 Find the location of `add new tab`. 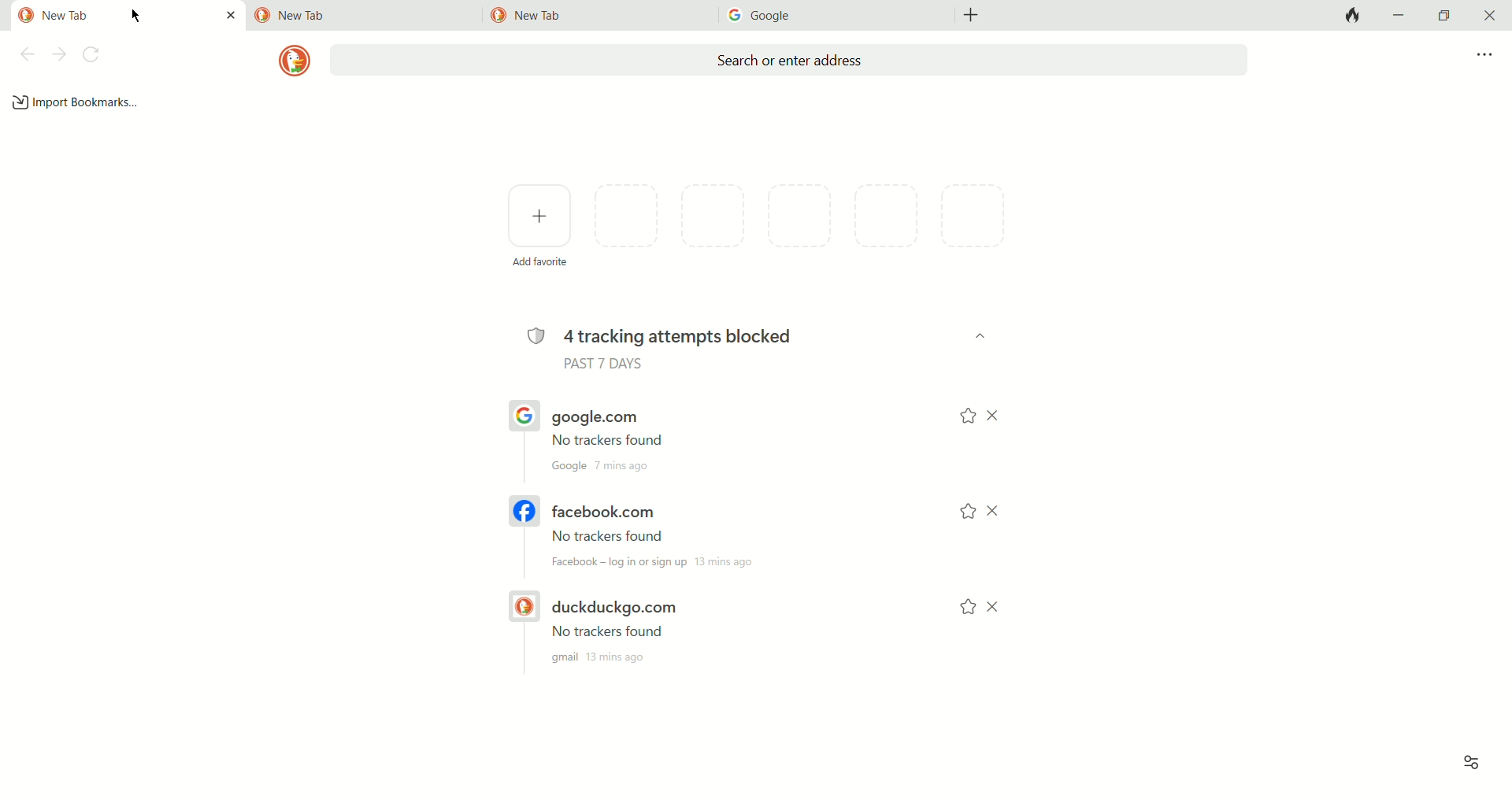

add new tab is located at coordinates (971, 16).